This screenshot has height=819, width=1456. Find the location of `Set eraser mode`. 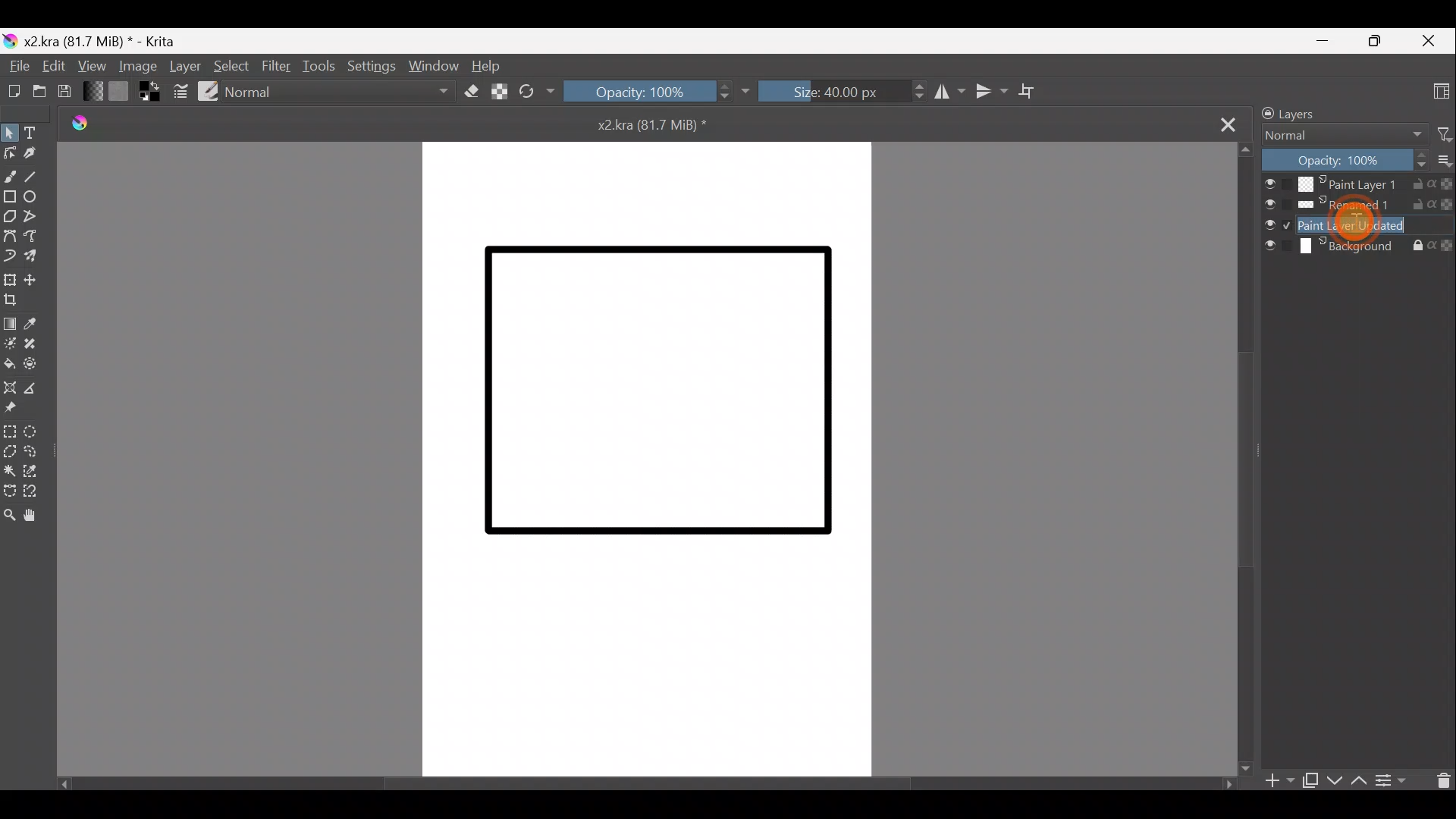

Set eraser mode is located at coordinates (472, 90).